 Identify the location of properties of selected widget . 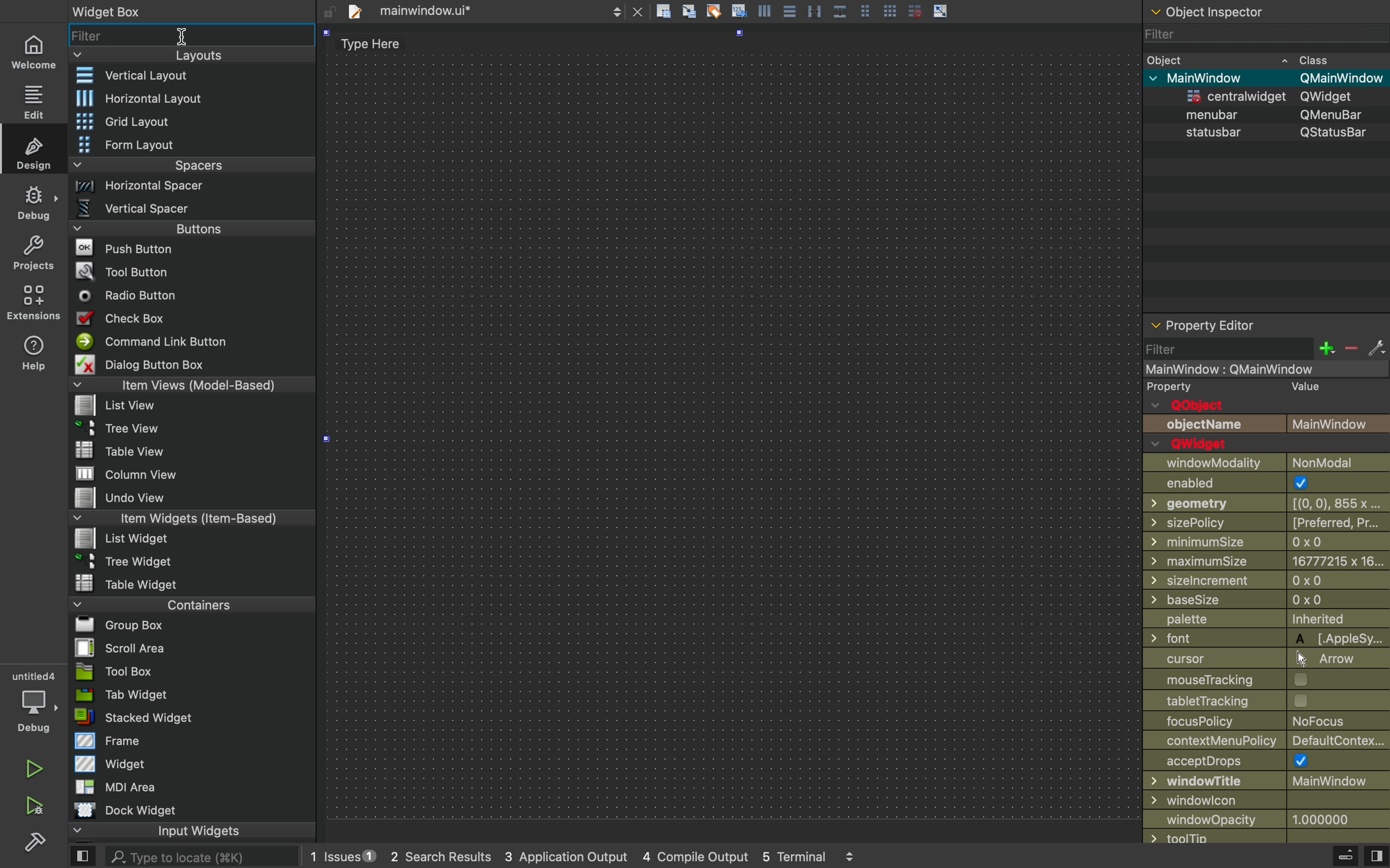
(1265, 324).